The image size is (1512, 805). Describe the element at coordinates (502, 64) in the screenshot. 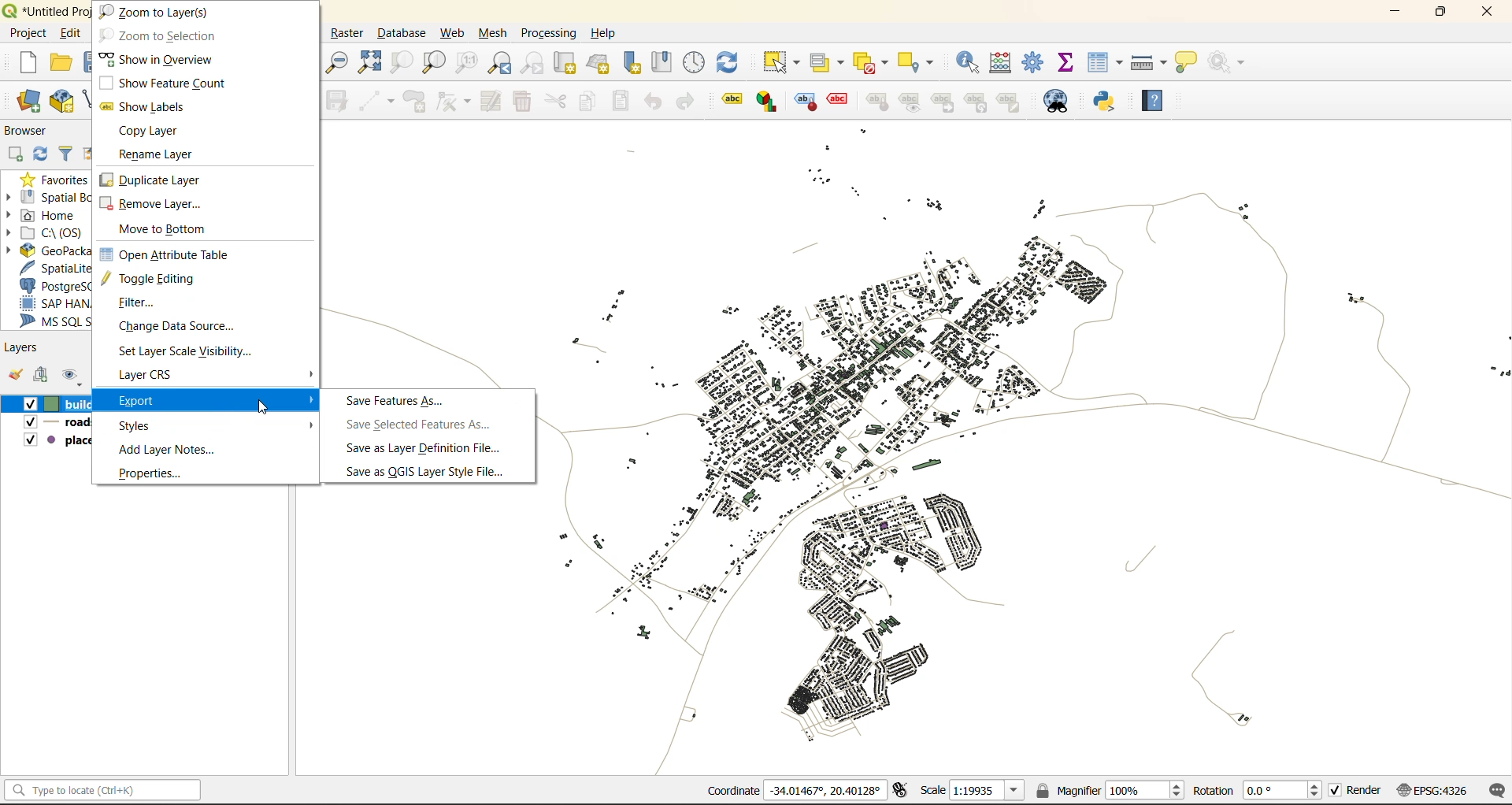

I see `zoom last` at that location.